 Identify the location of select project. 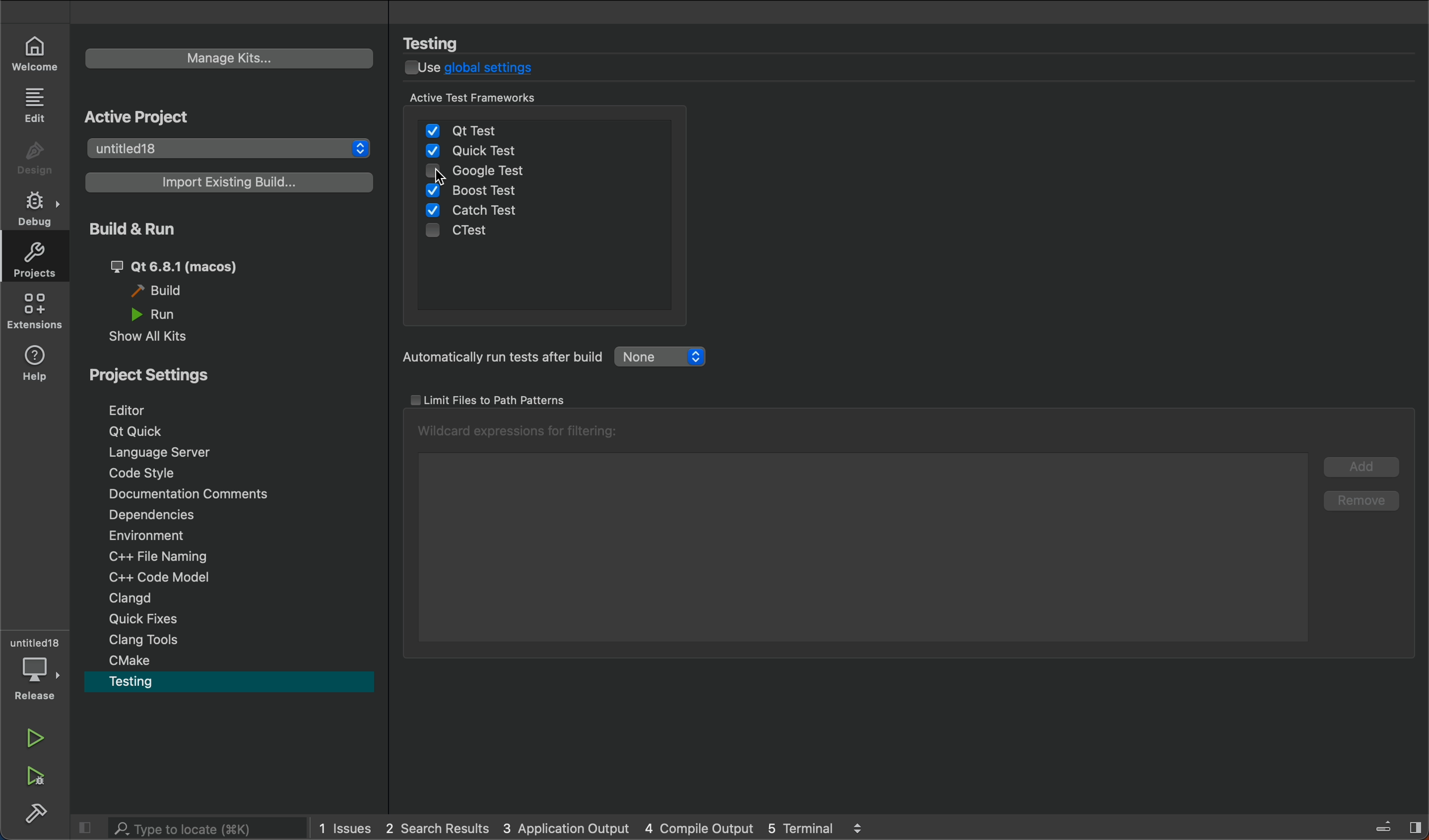
(231, 146).